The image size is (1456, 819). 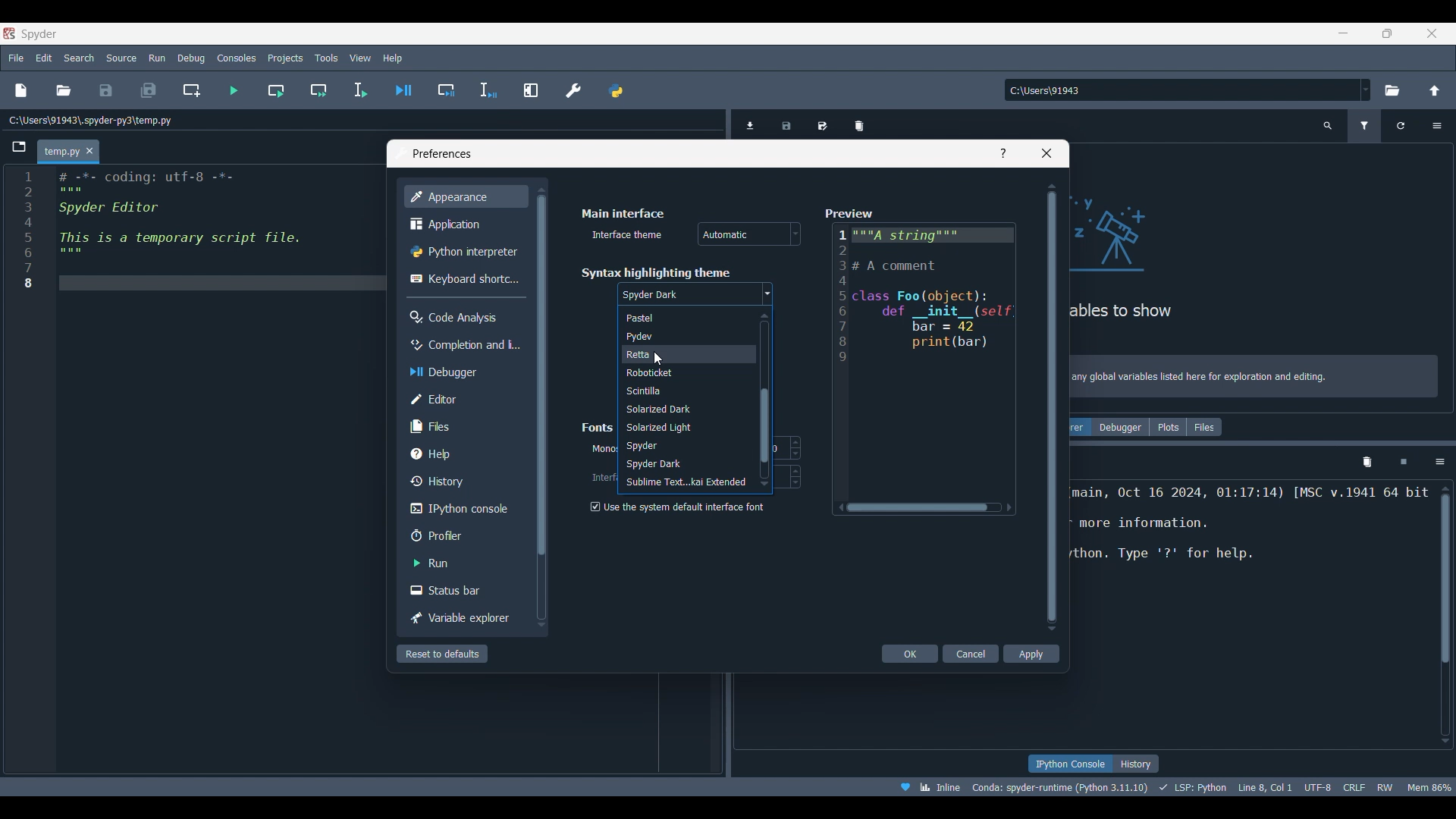 I want to click on Maximize current pane, so click(x=531, y=89).